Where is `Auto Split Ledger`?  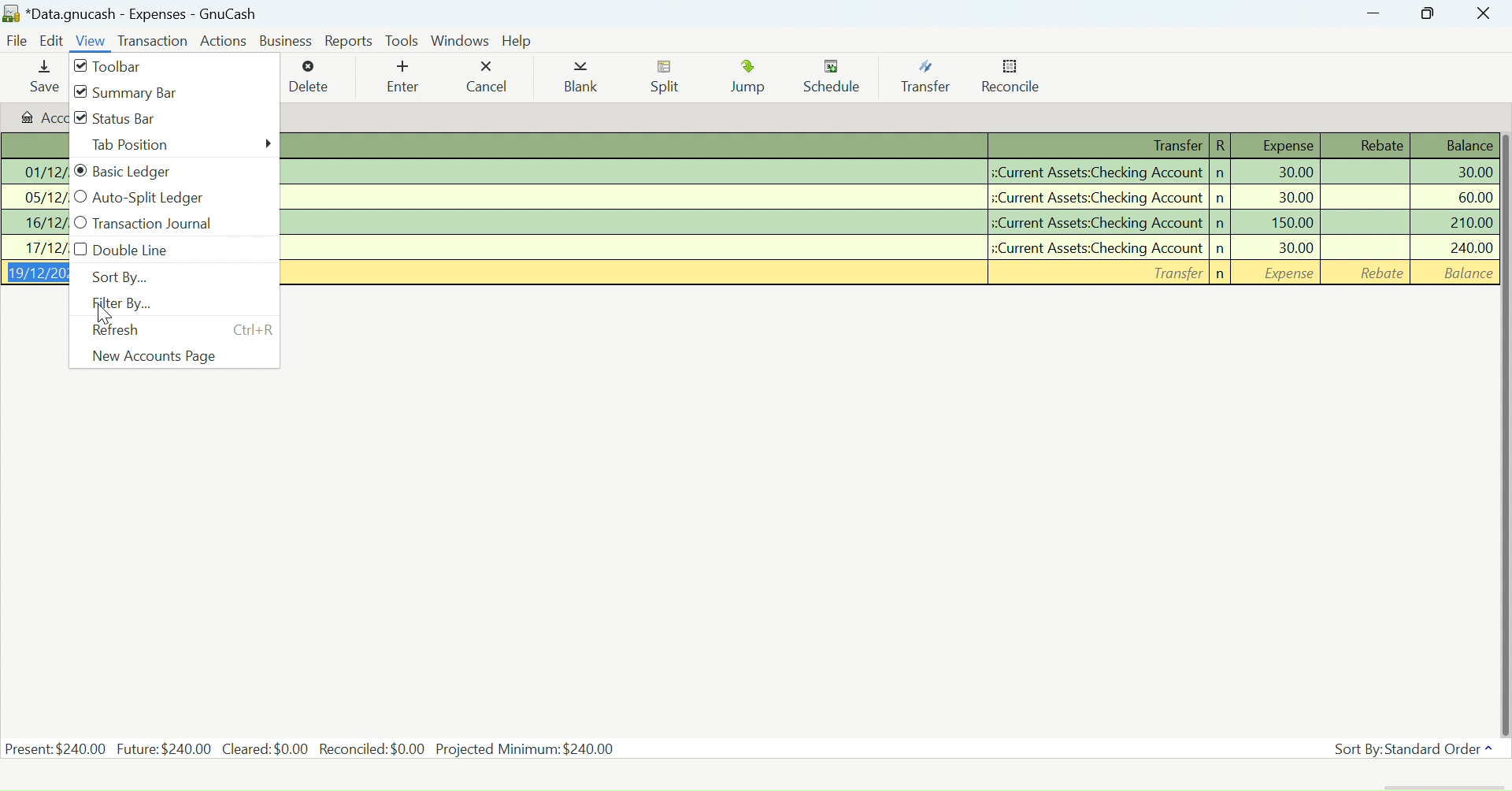 Auto Split Ledger is located at coordinates (155, 199).